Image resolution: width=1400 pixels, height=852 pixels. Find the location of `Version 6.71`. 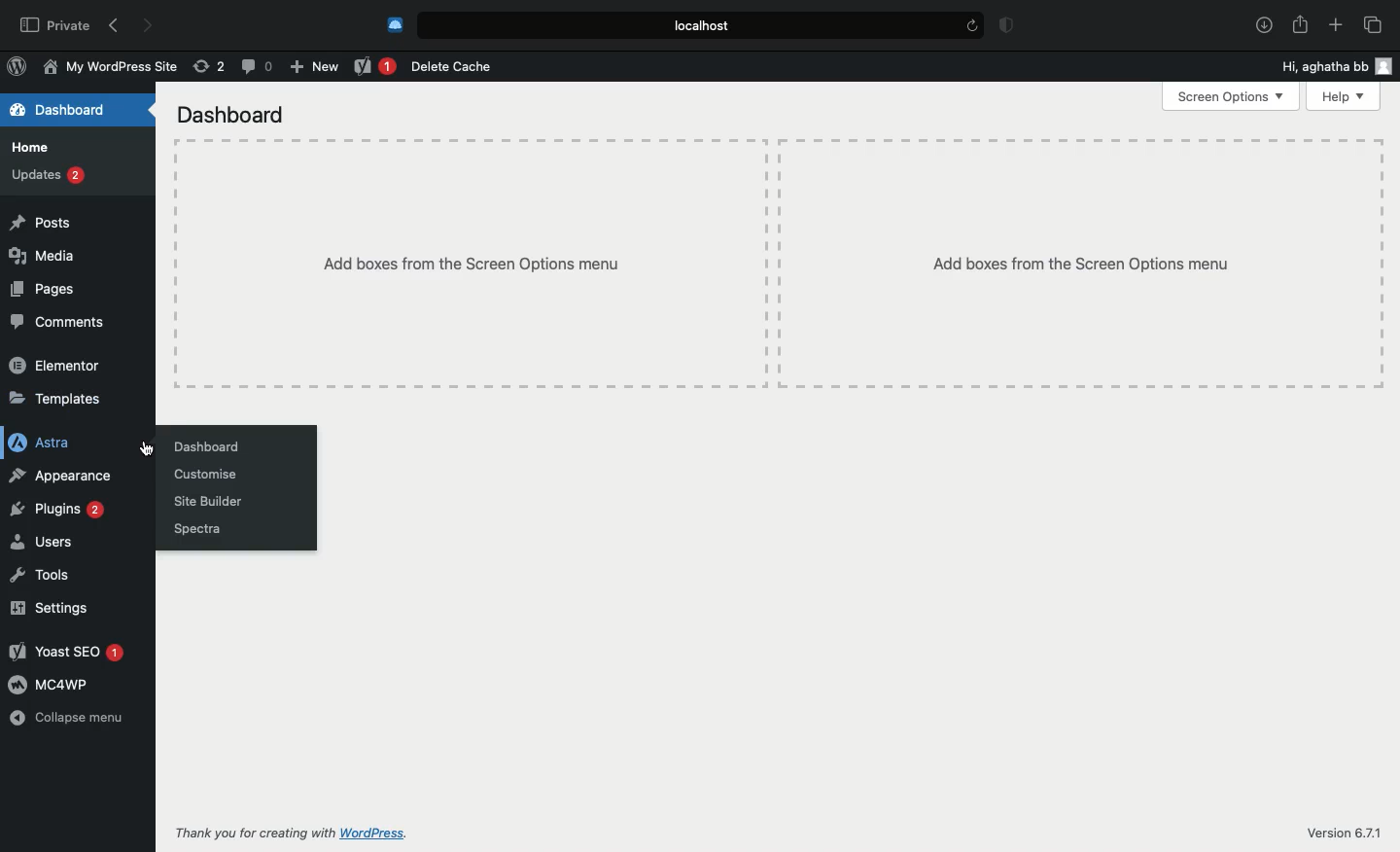

Version 6.71 is located at coordinates (1346, 834).